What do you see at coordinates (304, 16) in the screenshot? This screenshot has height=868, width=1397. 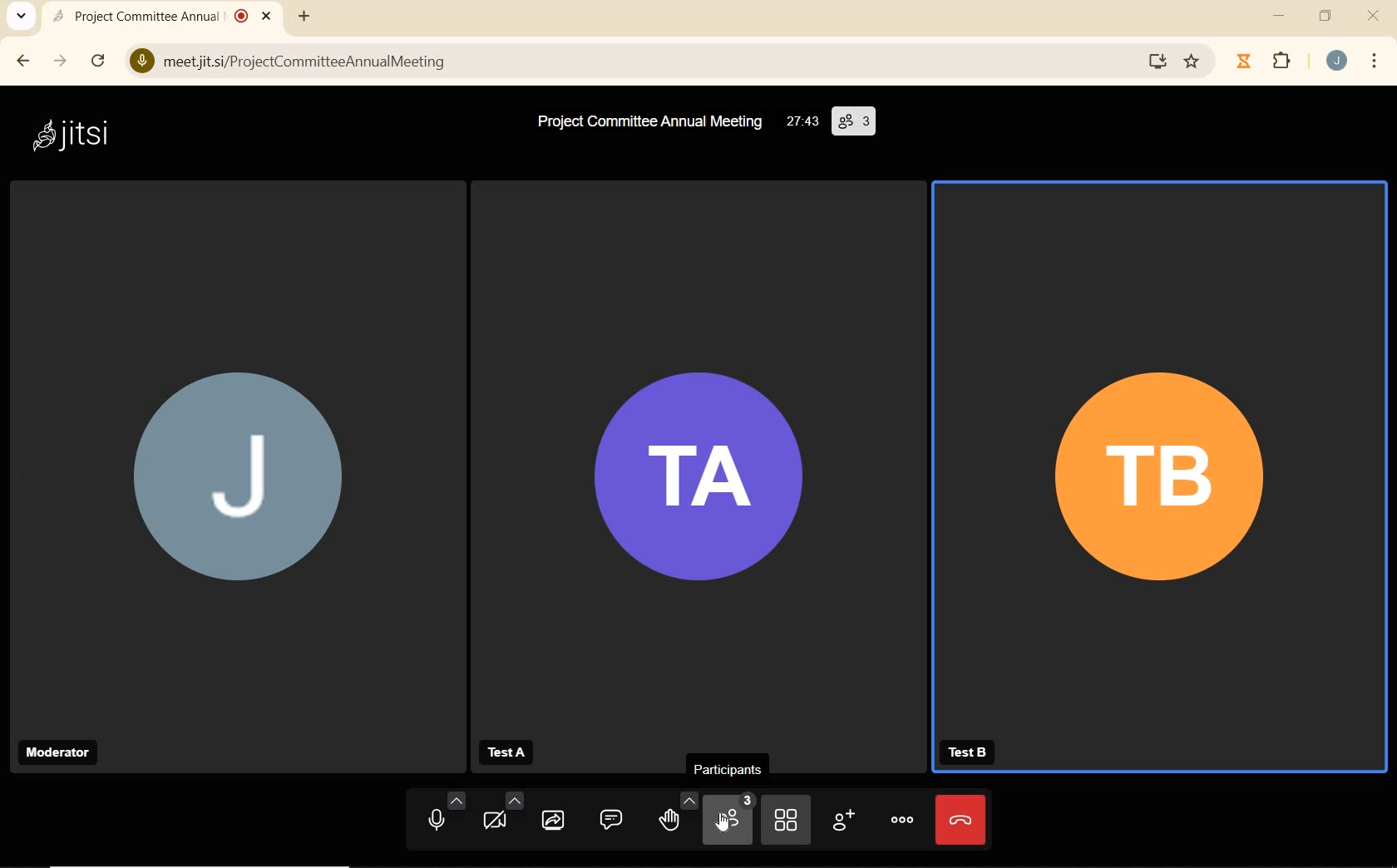 I see `ADD NEW TAB` at bounding box center [304, 16].